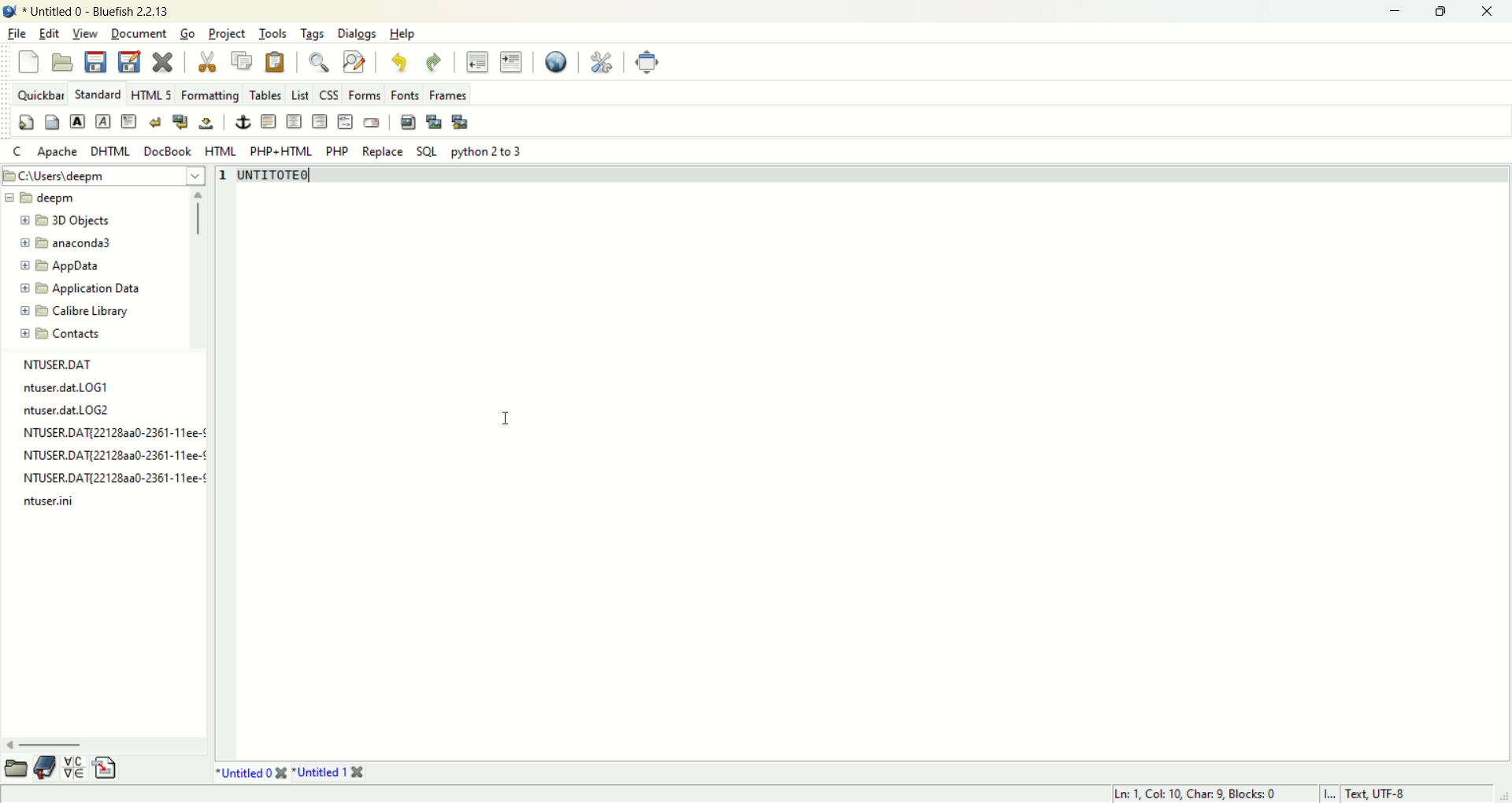 The image size is (1512, 803). I want to click on SQL, so click(426, 152).